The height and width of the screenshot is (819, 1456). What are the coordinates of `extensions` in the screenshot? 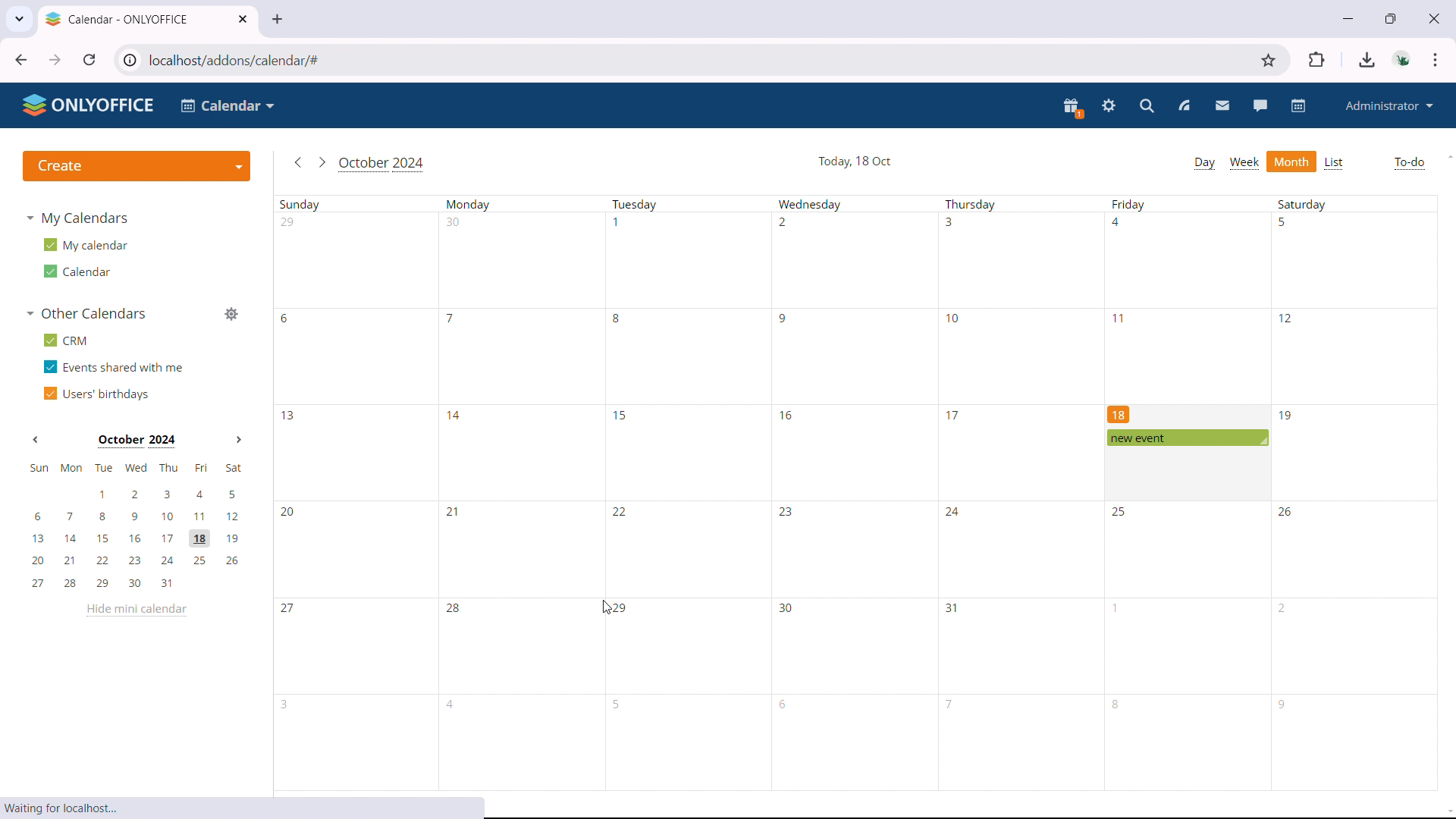 It's located at (1318, 59).